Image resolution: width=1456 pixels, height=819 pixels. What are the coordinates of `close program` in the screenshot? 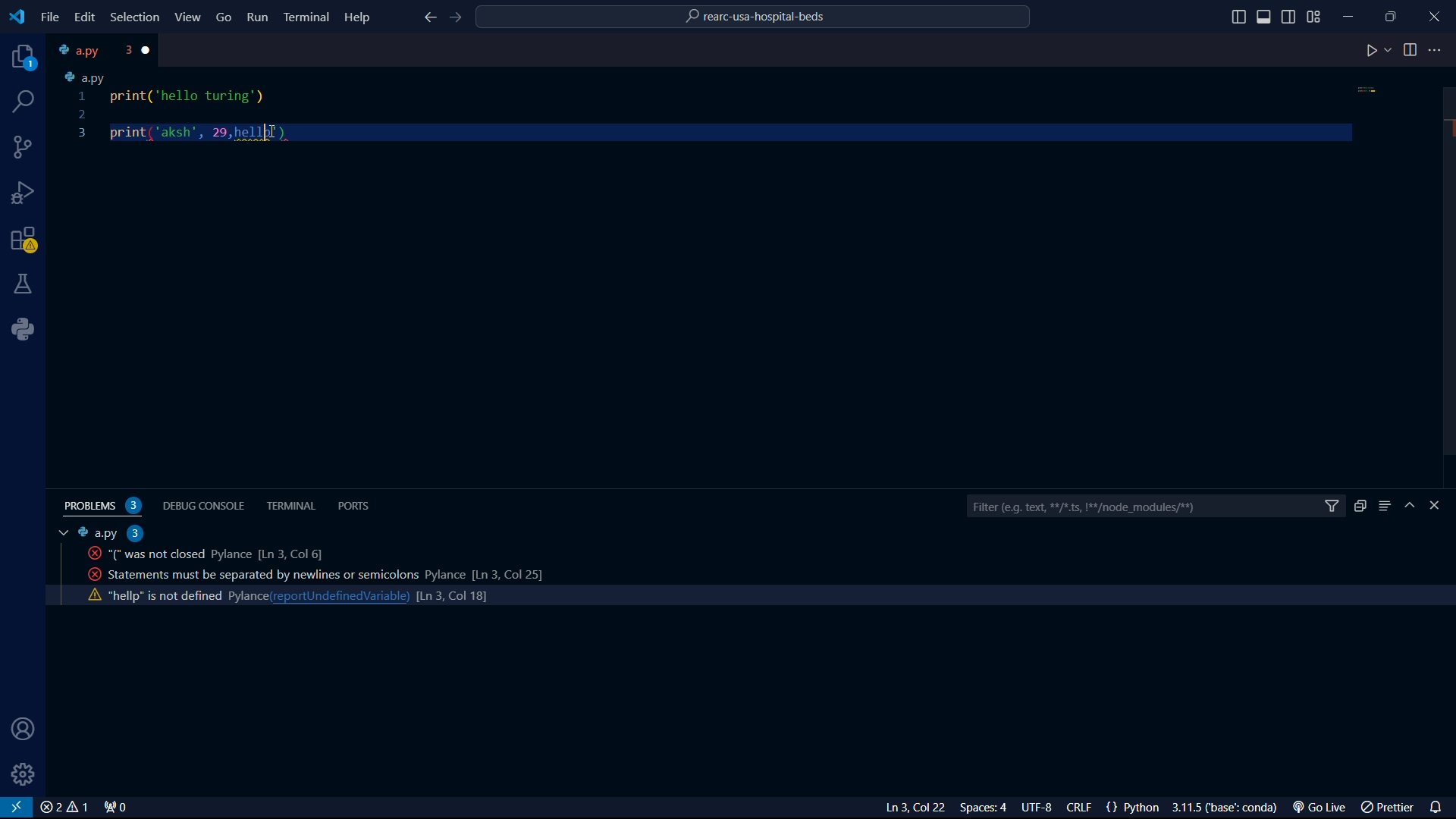 It's located at (1435, 14).